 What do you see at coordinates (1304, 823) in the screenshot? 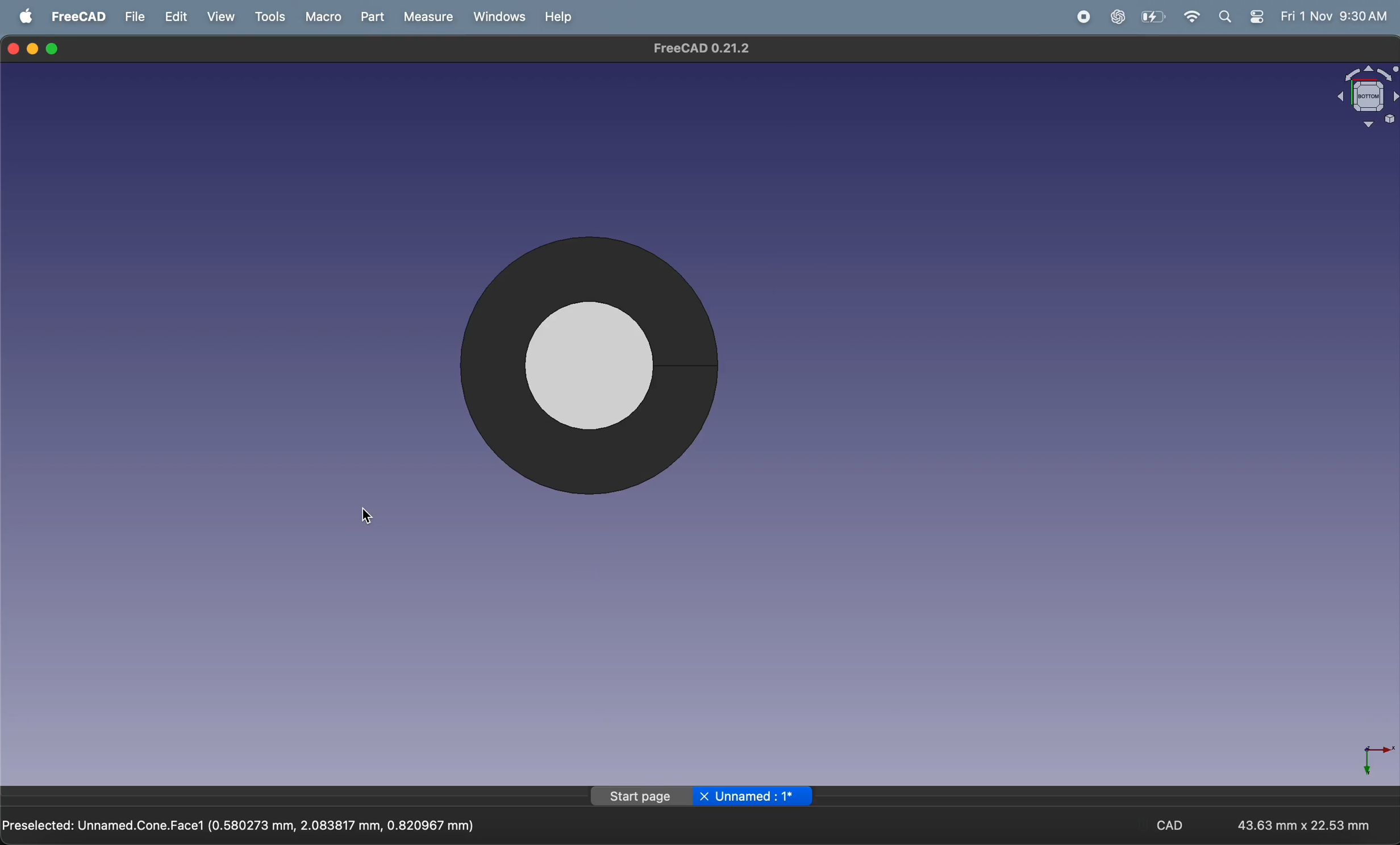
I see `43.63 mm x 22.53 mm` at bounding box center [1304, 823].